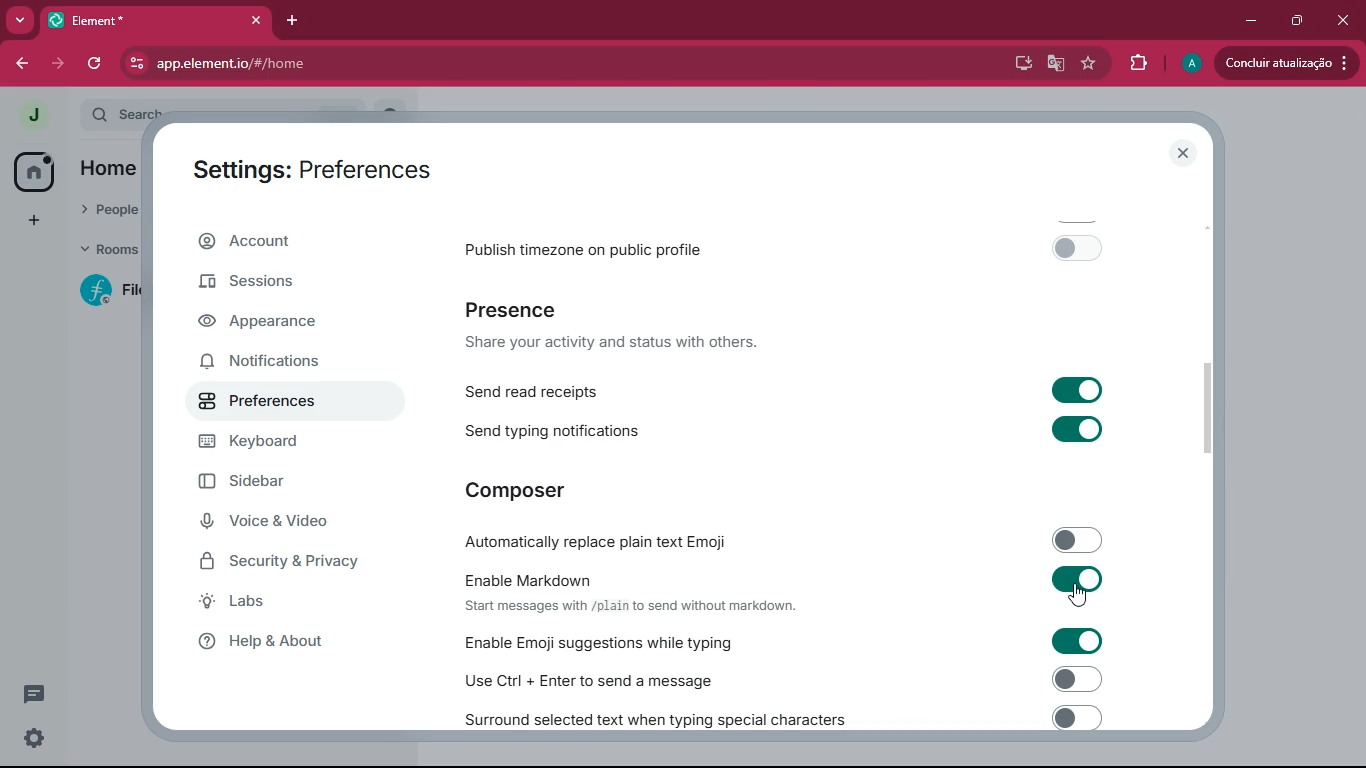 Image resolution: width=1366 pixels, height=768 pixels. What do you see at coordinates (297, 21) in the screenshot?
I see `add tab` at bounding box center [297, 21].